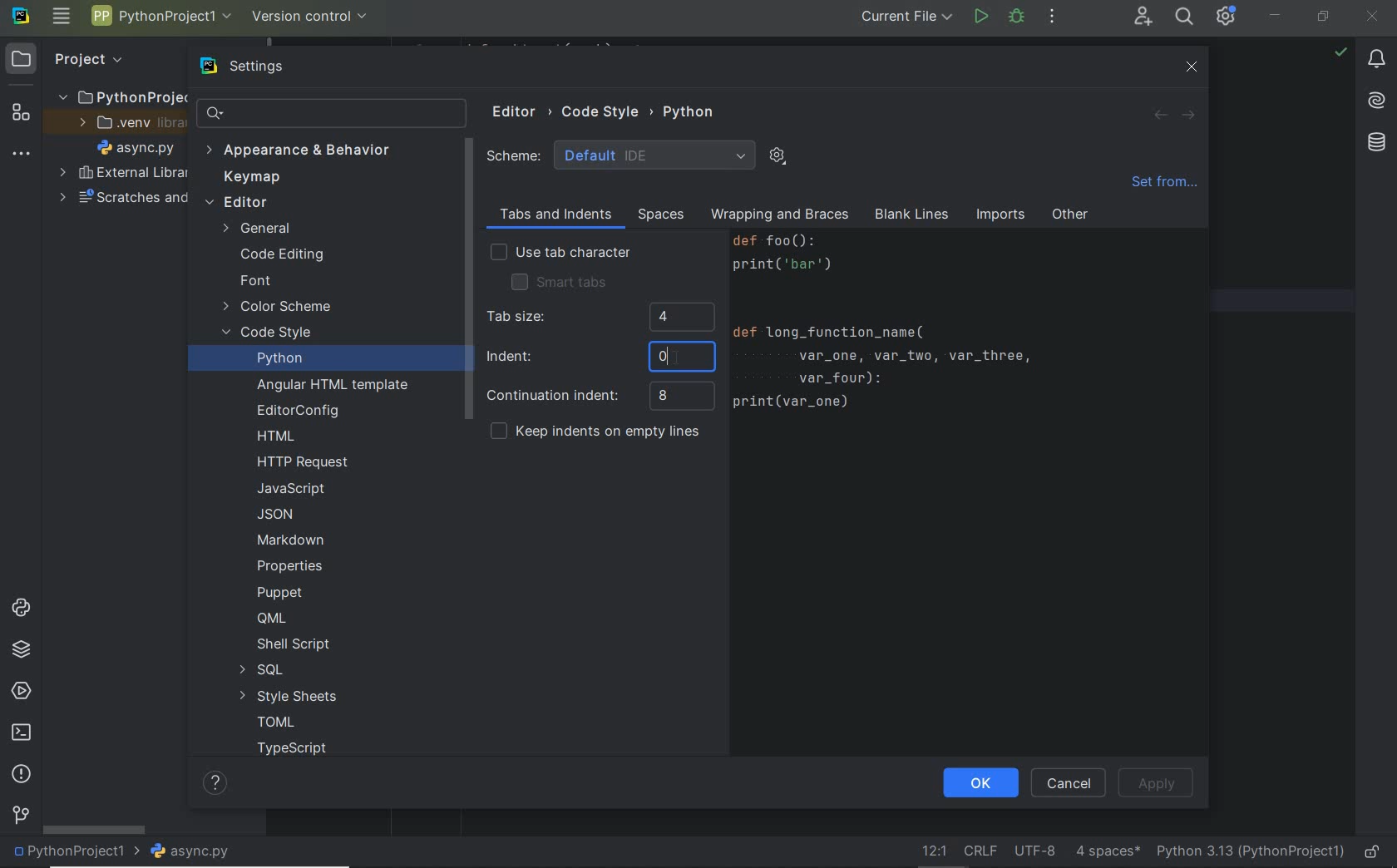 This screenshot has height=868, width=1397. I want to click on problems, so click(20, 775).